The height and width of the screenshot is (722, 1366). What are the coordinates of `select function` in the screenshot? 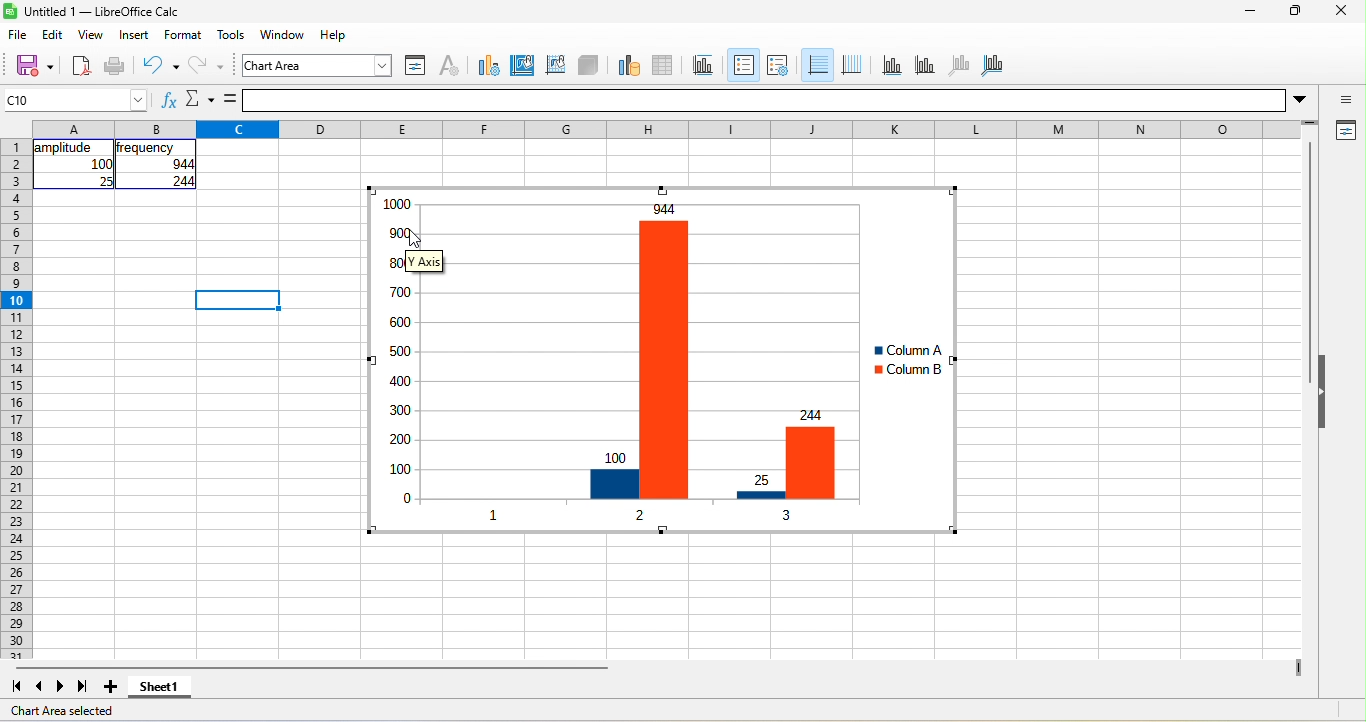 It's located at (199, 101).